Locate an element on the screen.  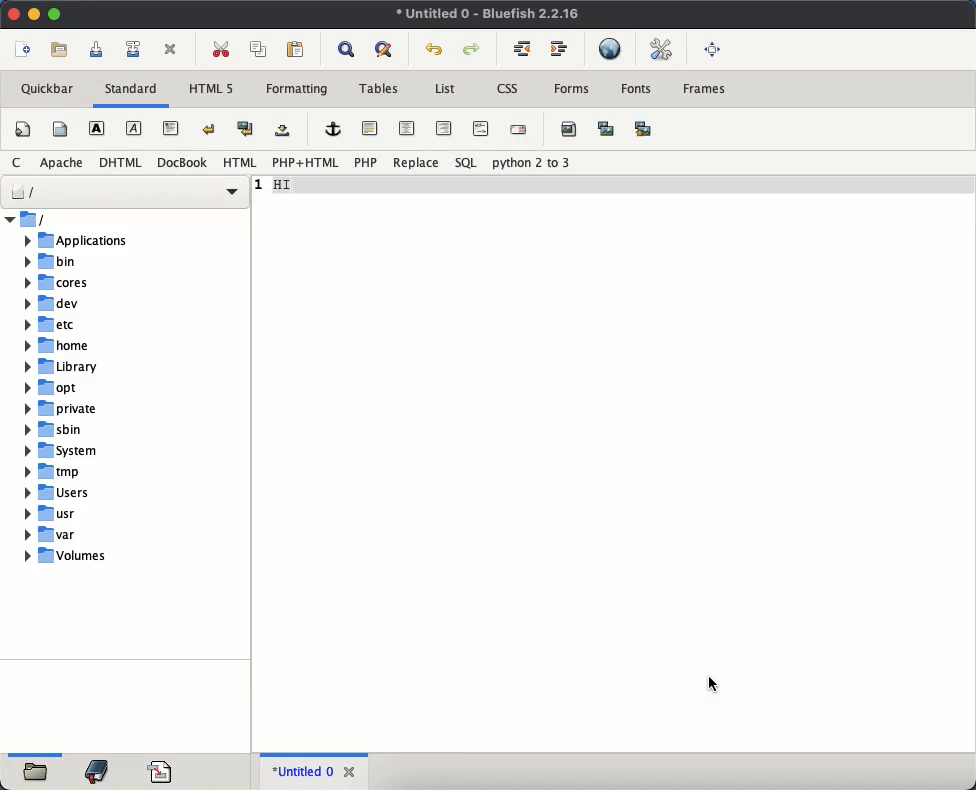
cores is located at coordinates (98, 283).